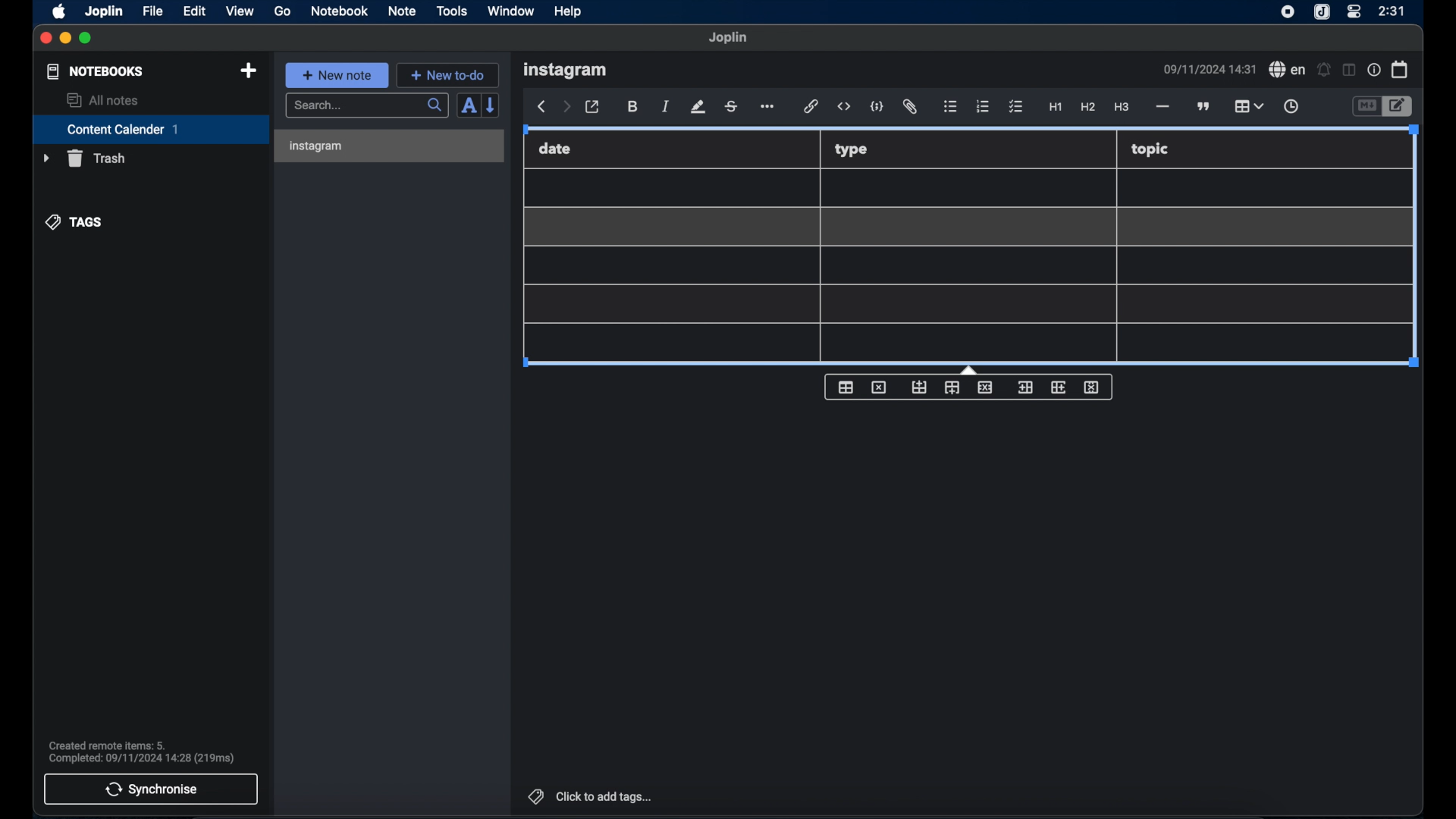 This screenshot has height=819, width=1456. What do you see at coordinates (984, 387) in the screenshot?
I see `delete row` at bounding box center [984, 387].